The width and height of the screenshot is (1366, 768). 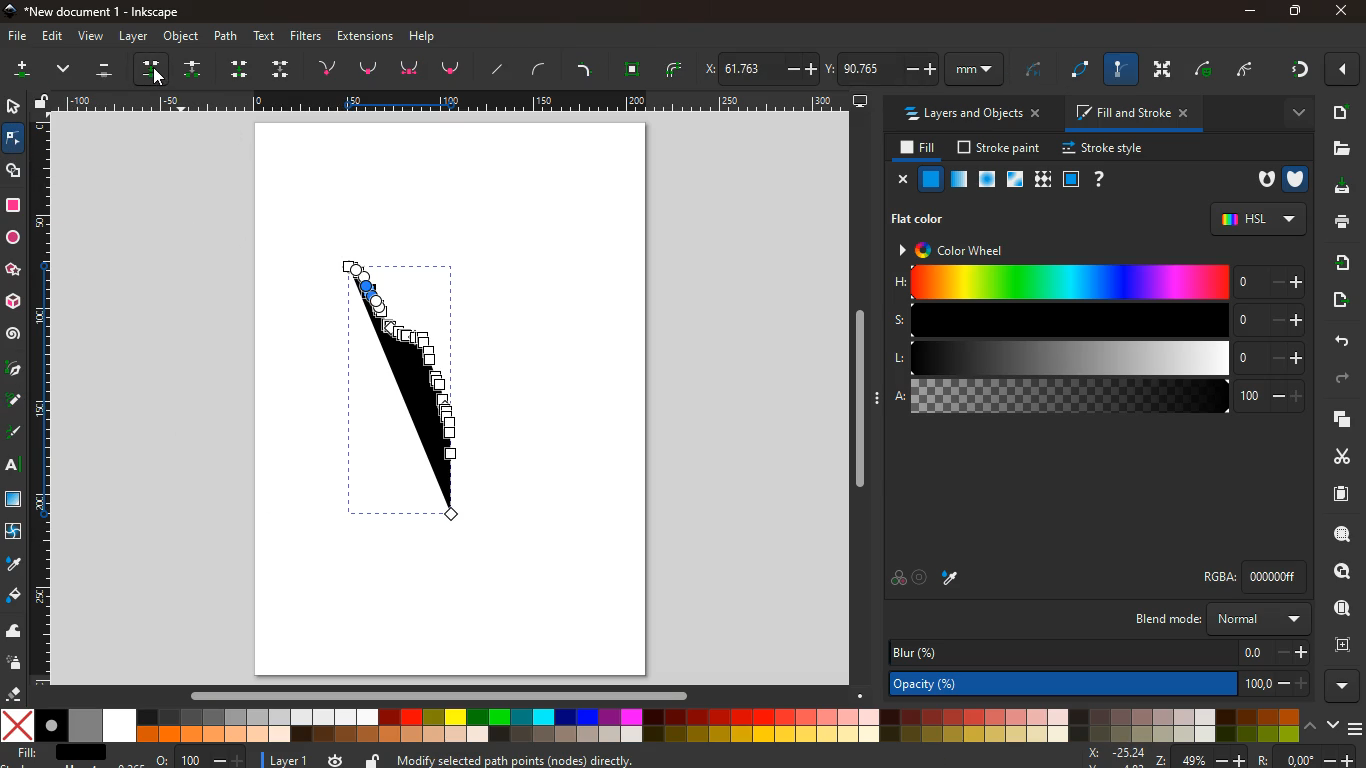 What do you see at coordinates (1340, 112) in the screenshot?
I see `add` at bounding box center [1340, 112].